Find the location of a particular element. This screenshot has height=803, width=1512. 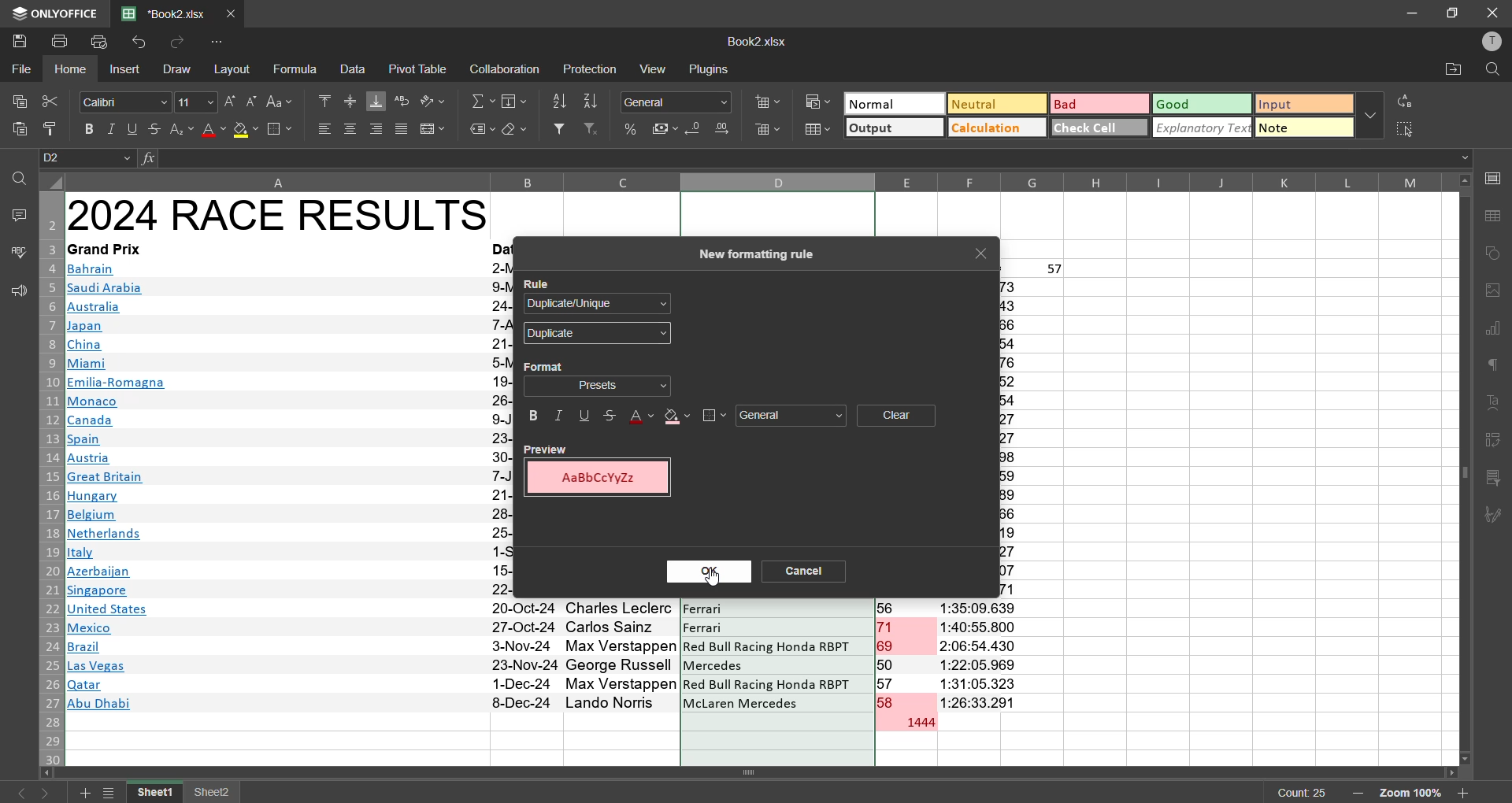

signature is located at coordinates (1494, 516).